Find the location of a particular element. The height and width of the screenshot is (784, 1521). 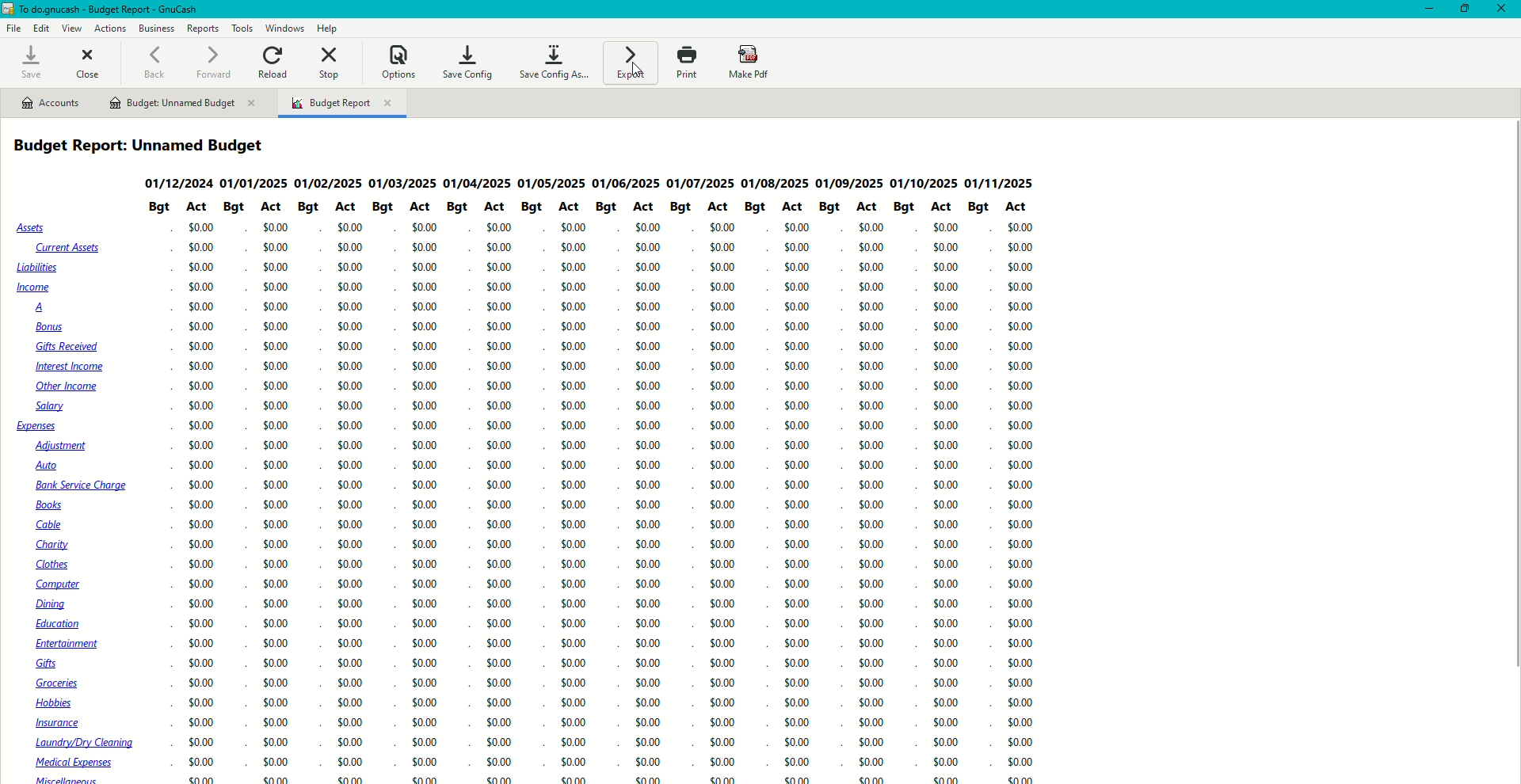

$0.00 is located at coordinates (277, 564).